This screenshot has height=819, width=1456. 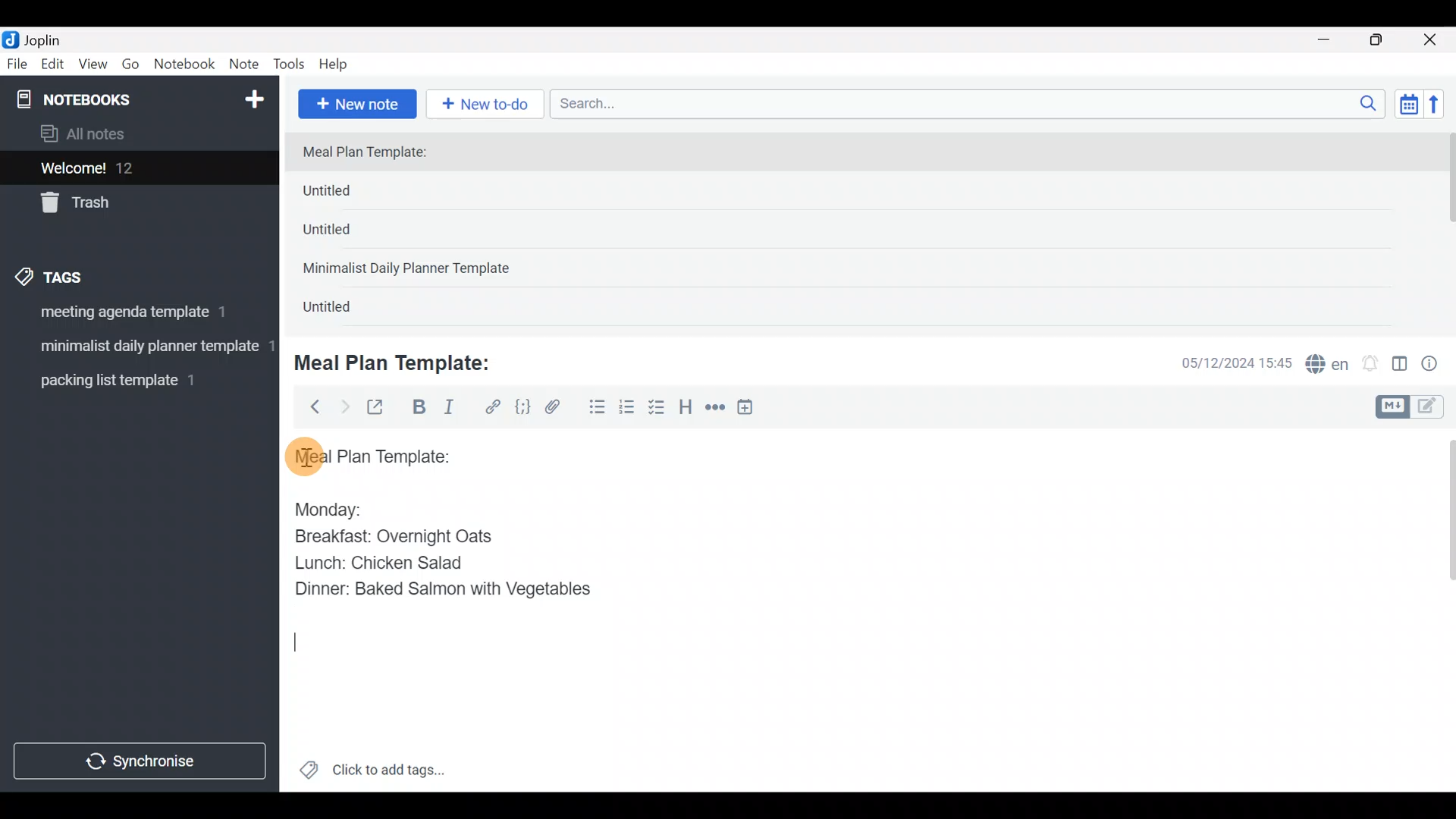 I want to click on Edit, so click(x=53, y=67).